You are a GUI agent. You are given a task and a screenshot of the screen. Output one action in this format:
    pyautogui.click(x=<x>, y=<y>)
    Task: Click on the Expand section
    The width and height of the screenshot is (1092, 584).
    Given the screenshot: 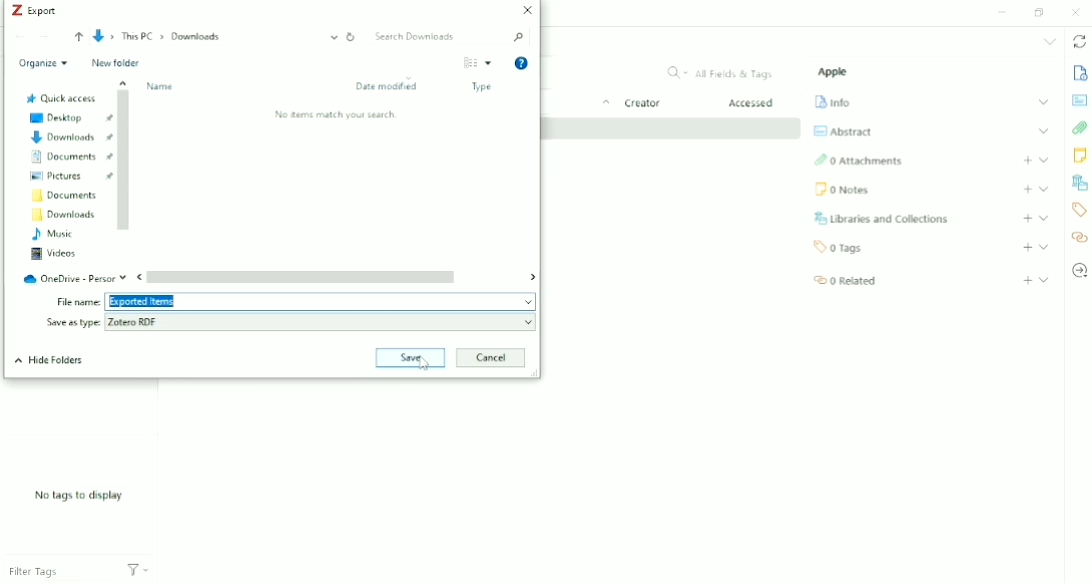 What is the action you would take?
    pyautogui.click(x=1043, y=131)
    